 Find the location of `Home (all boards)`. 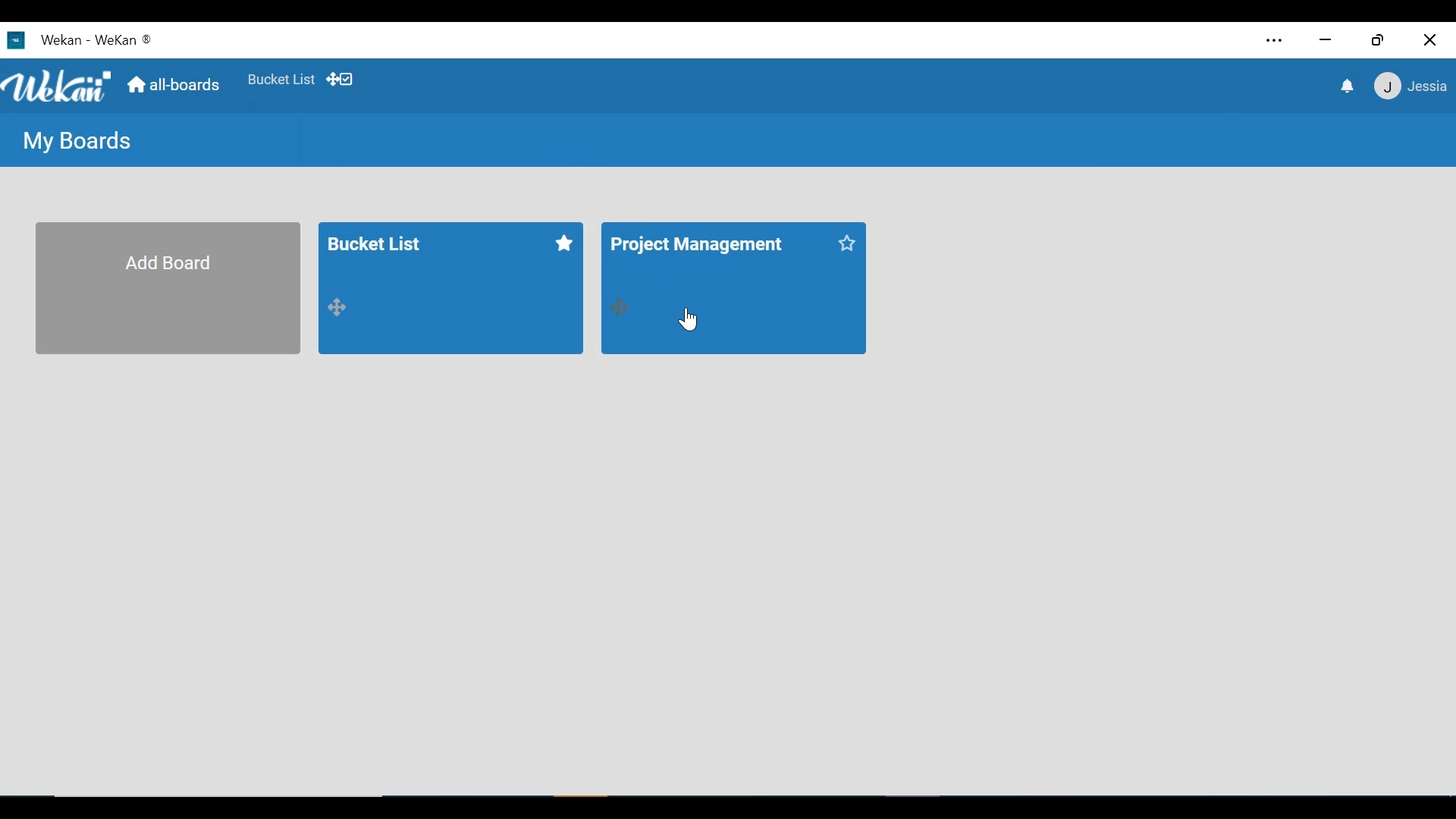

Home (all boards) is located at coordinates (174, 86).